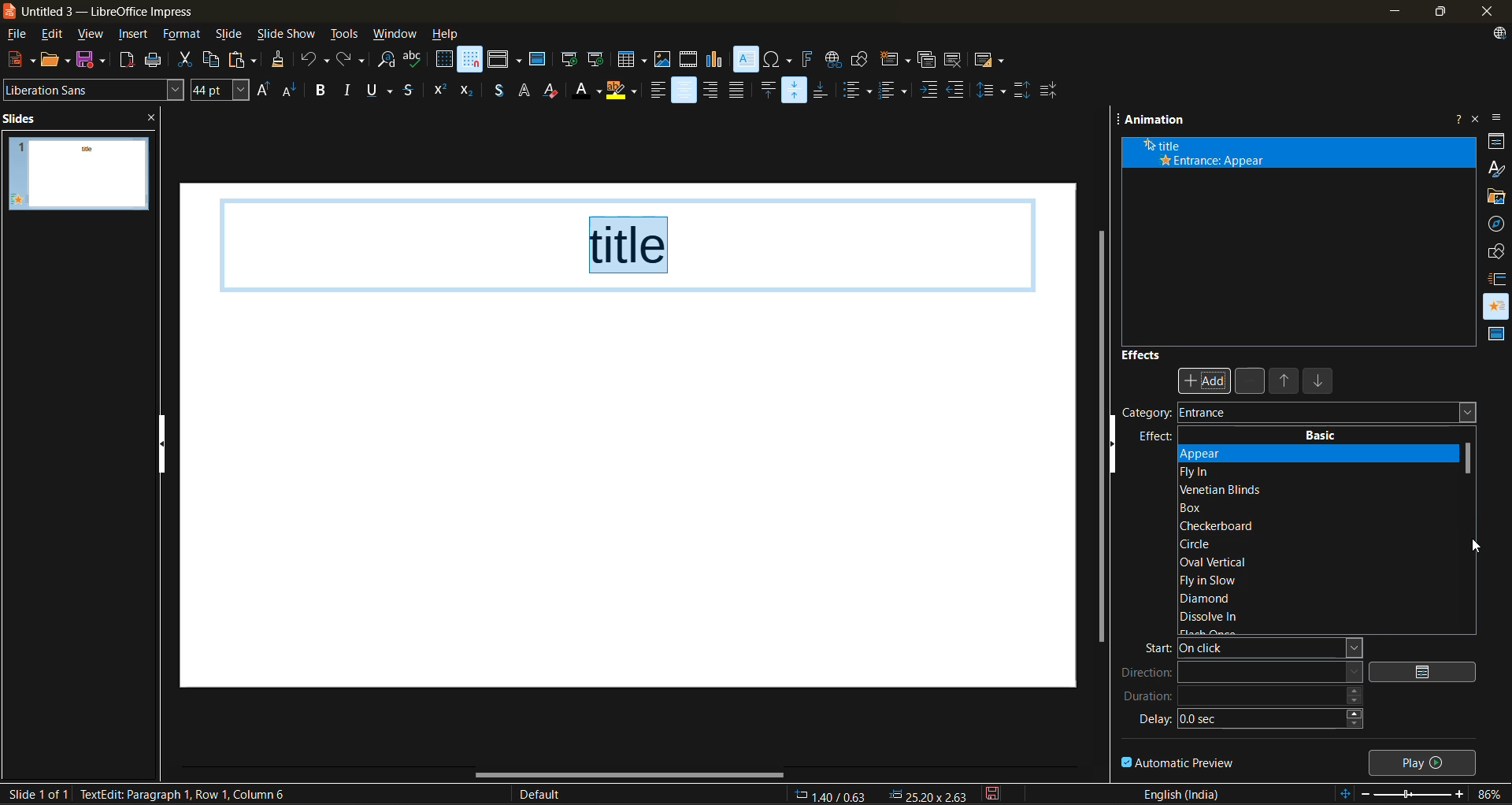  I want to click on cut, so click(184, 61).